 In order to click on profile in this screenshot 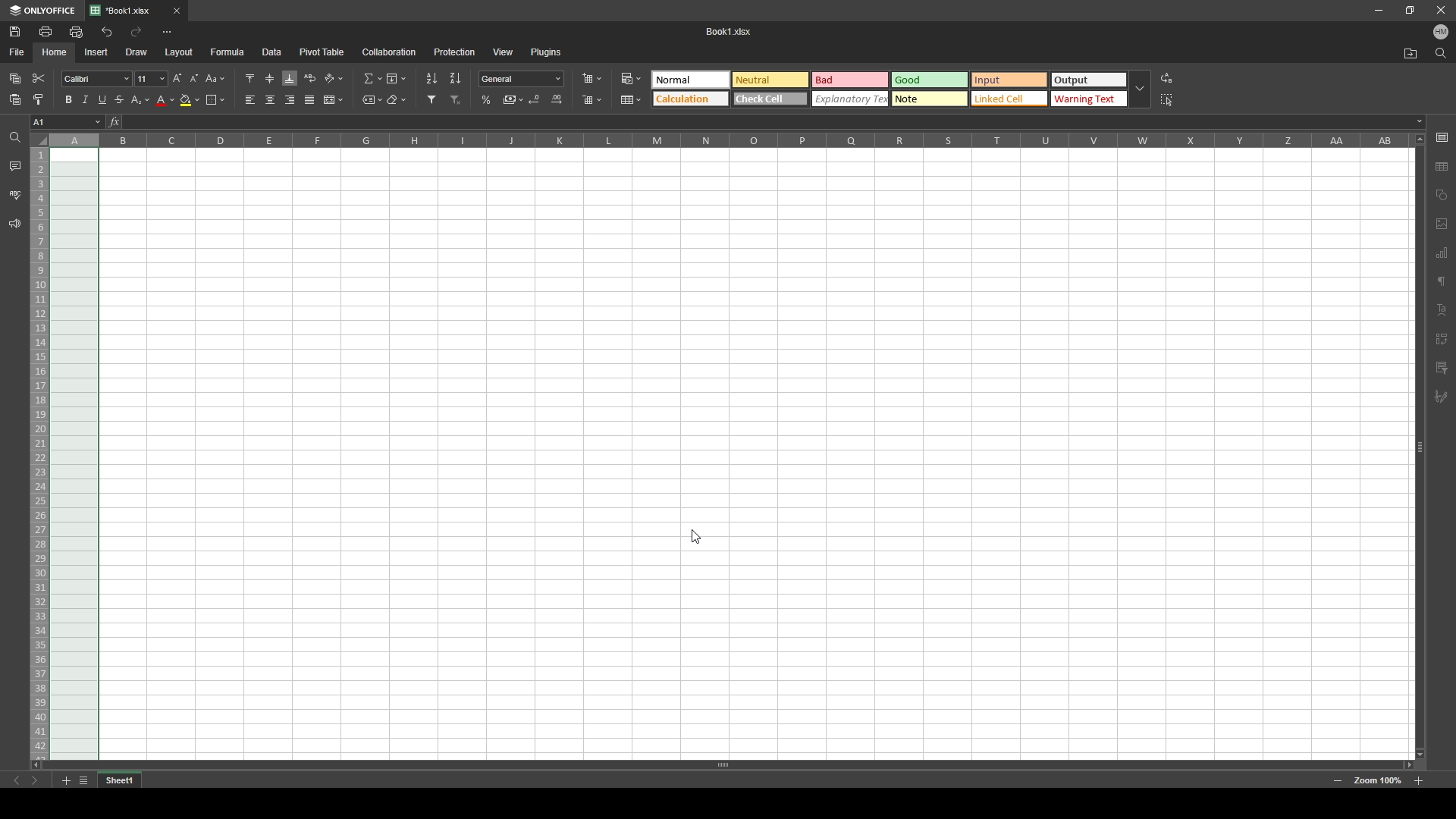, I will do `click(1441, 33)`.